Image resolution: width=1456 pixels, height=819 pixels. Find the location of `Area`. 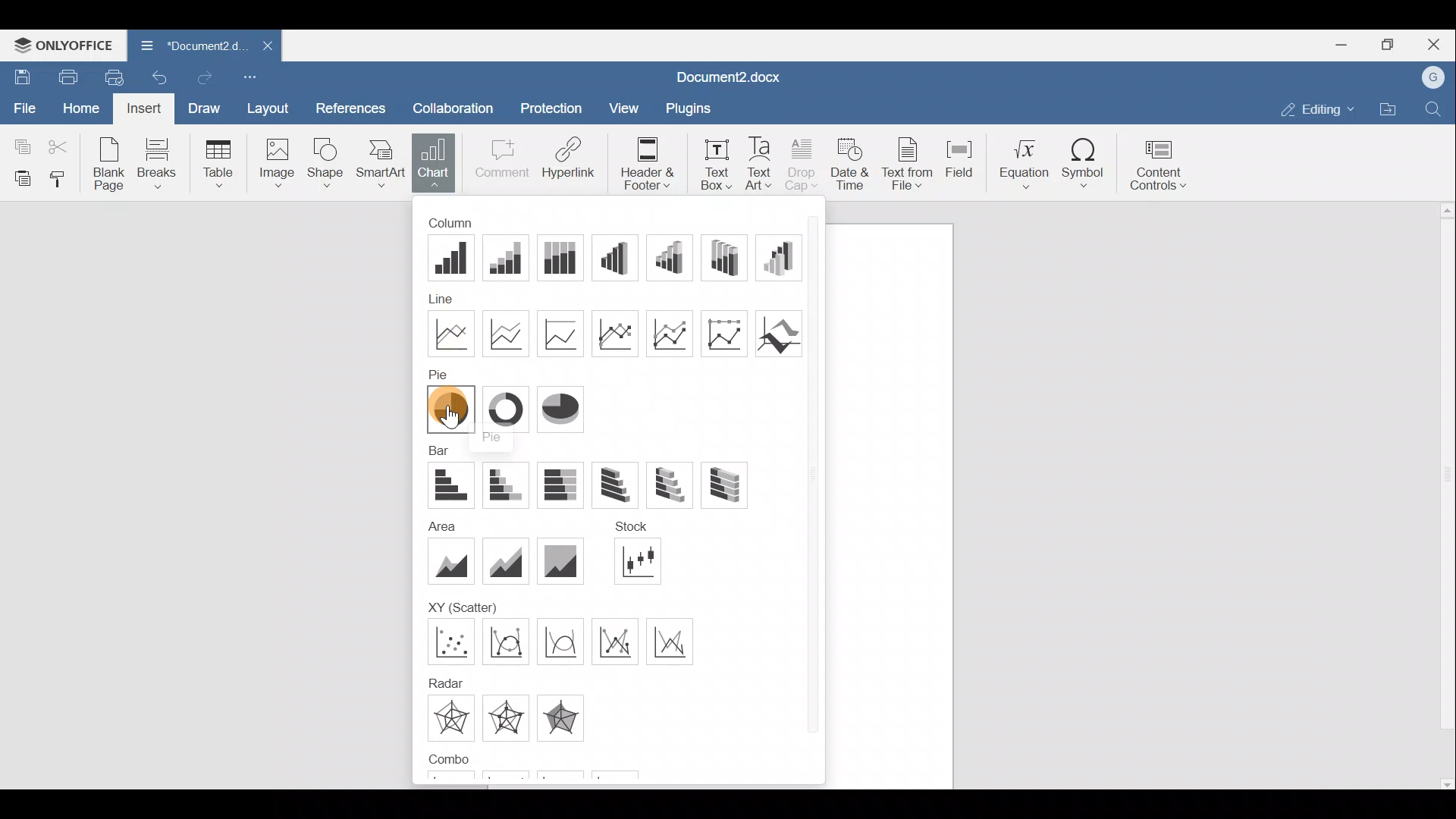

Area is located at coordinates (450, 562).